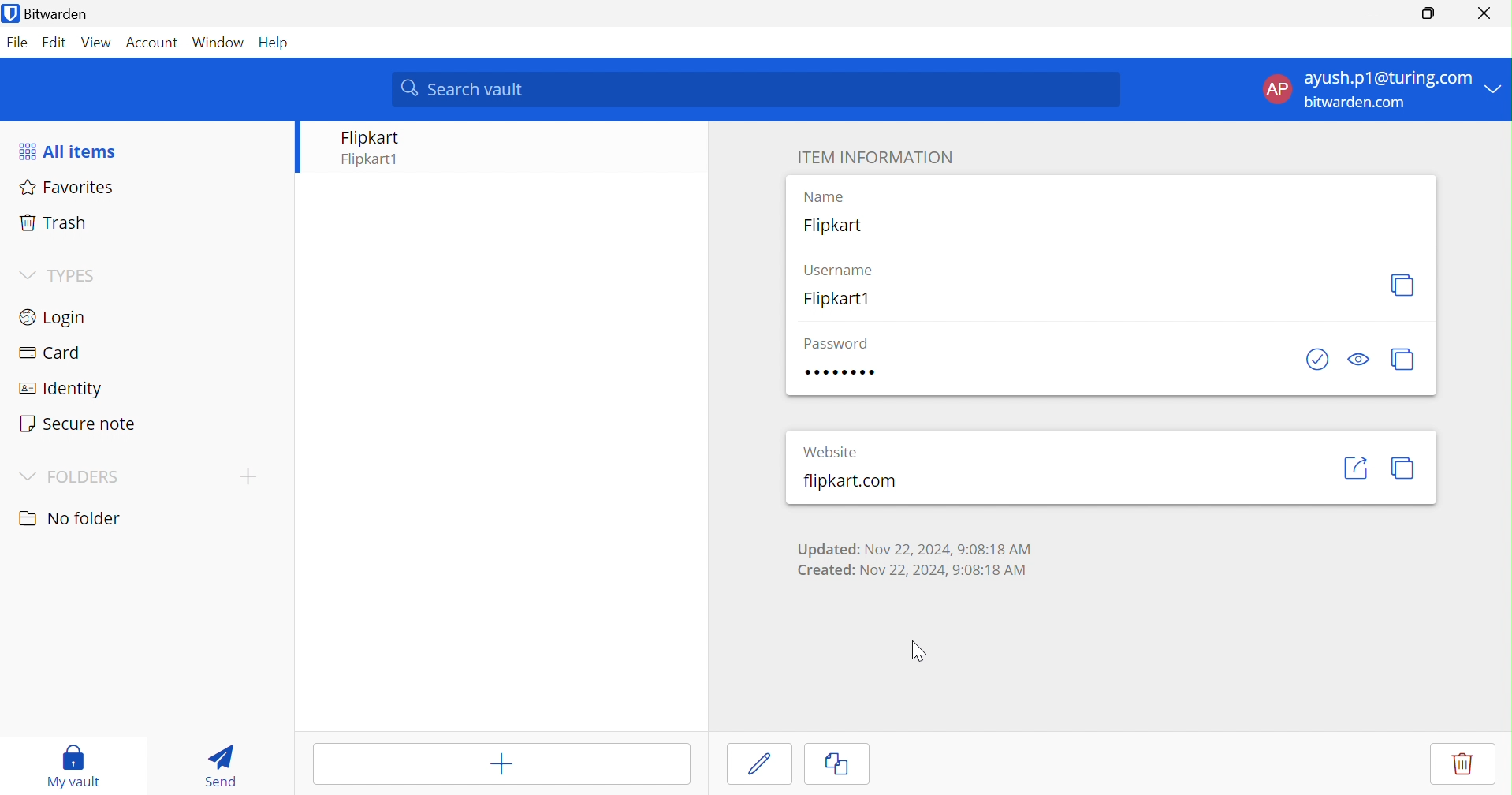 This screenshot has width=1512, height=795. What do you see at coordinates (25, 273) in the screenshot?
I see `Drop Down` at bounding box center [25, 273].